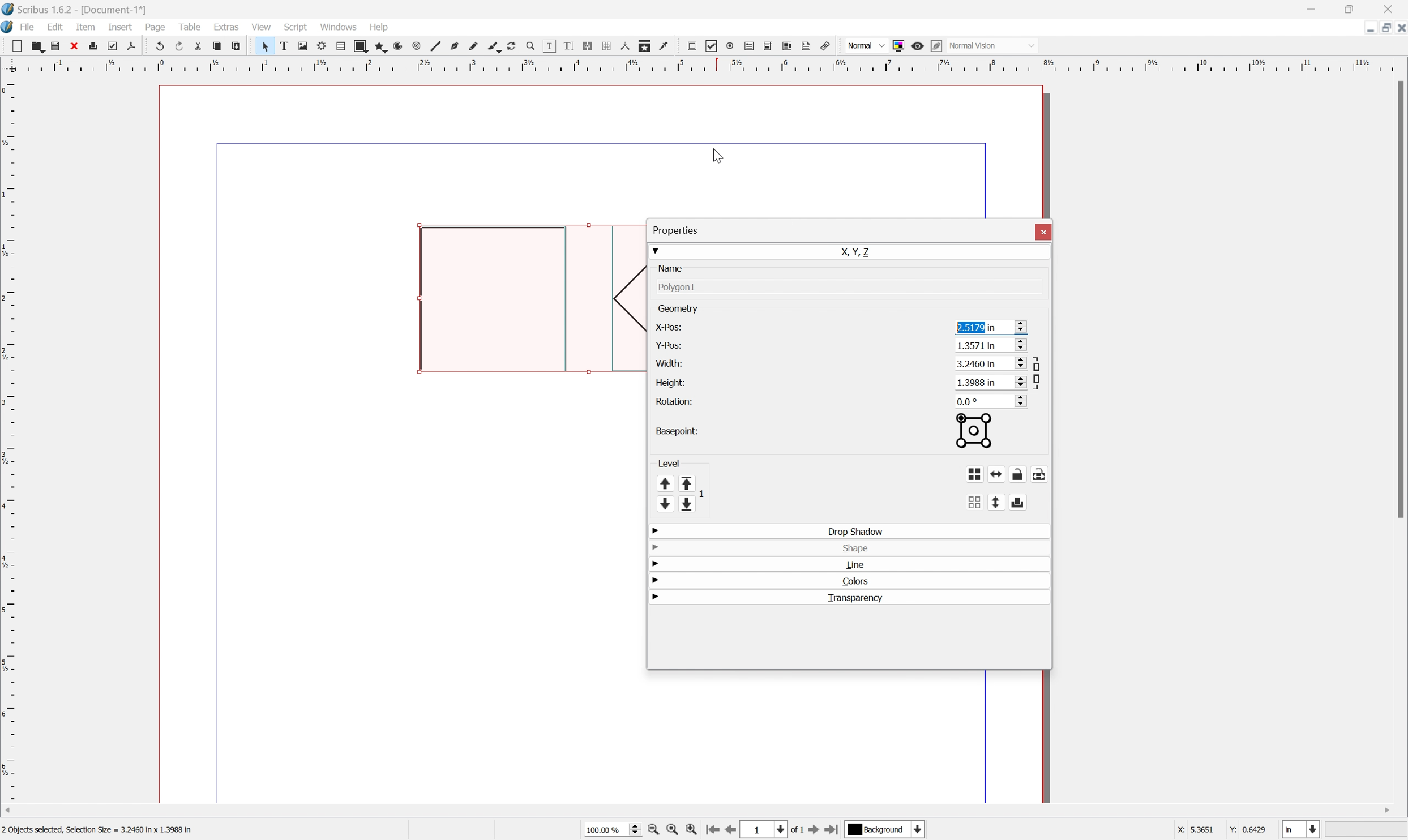 This screenshot has height=840, width=1408. I want to click on script, so click(296, 26).